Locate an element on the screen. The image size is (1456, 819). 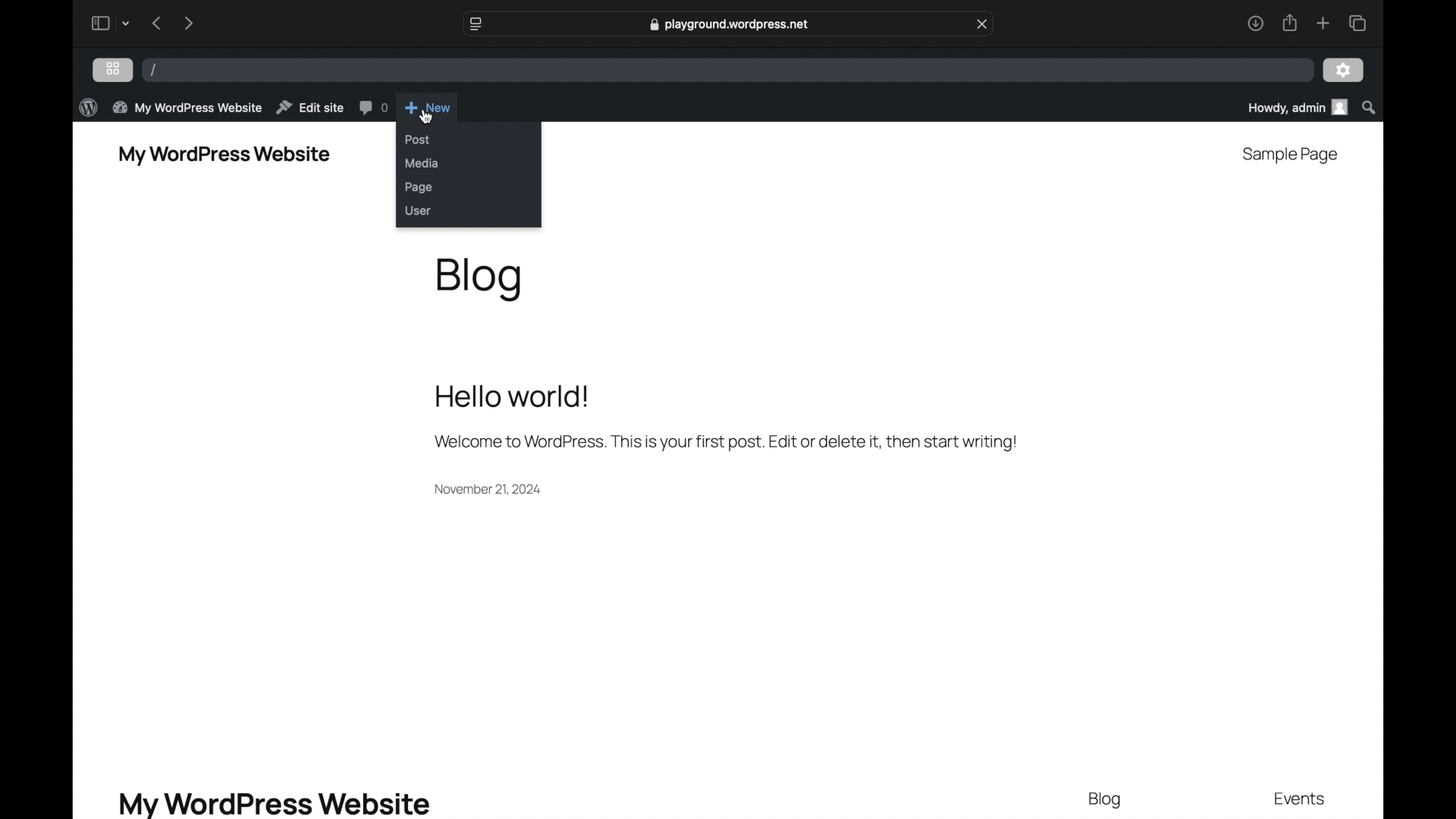
post is located at coordinates (419, 140).